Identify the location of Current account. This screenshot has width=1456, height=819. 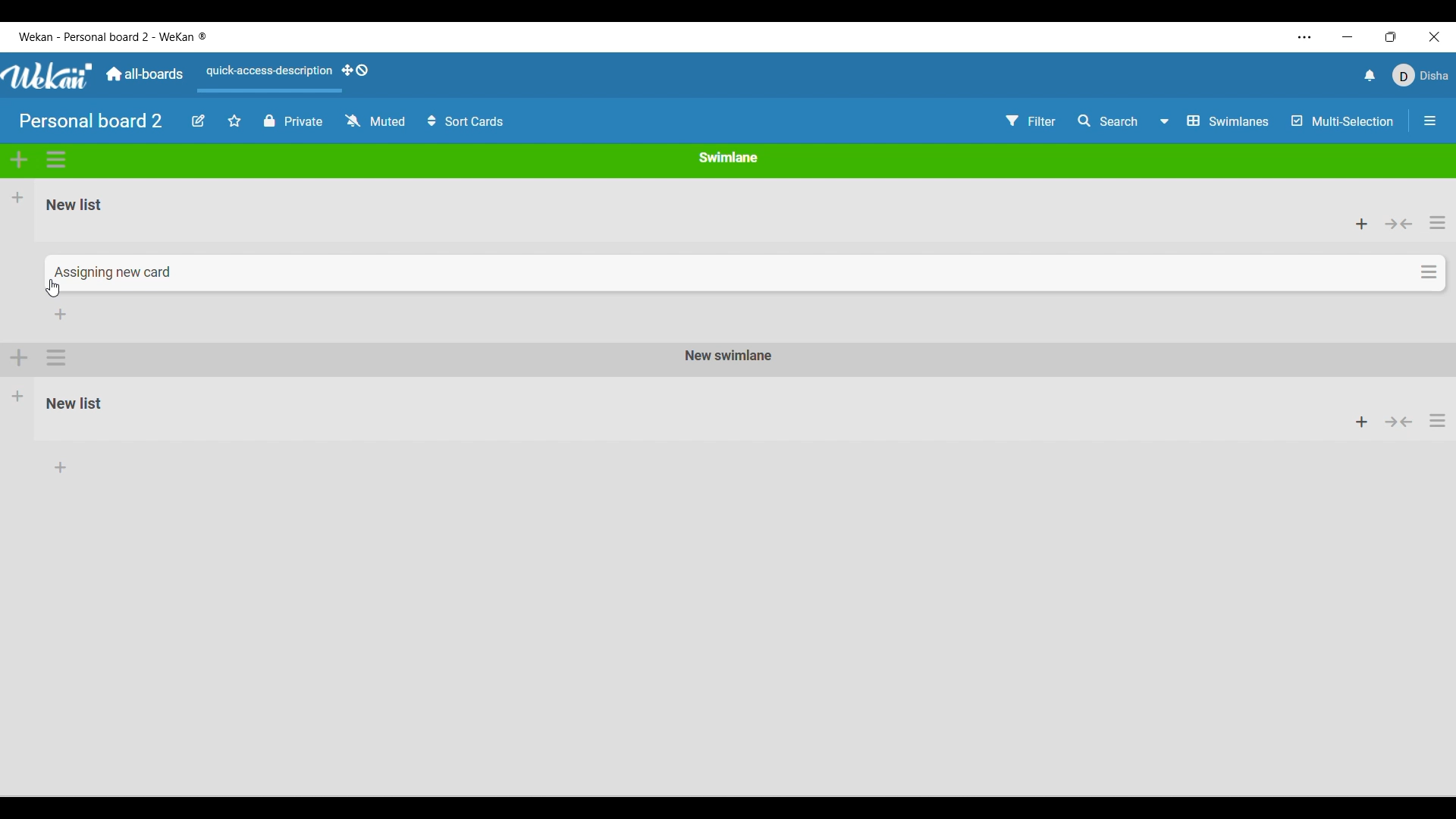
(1421, 75).